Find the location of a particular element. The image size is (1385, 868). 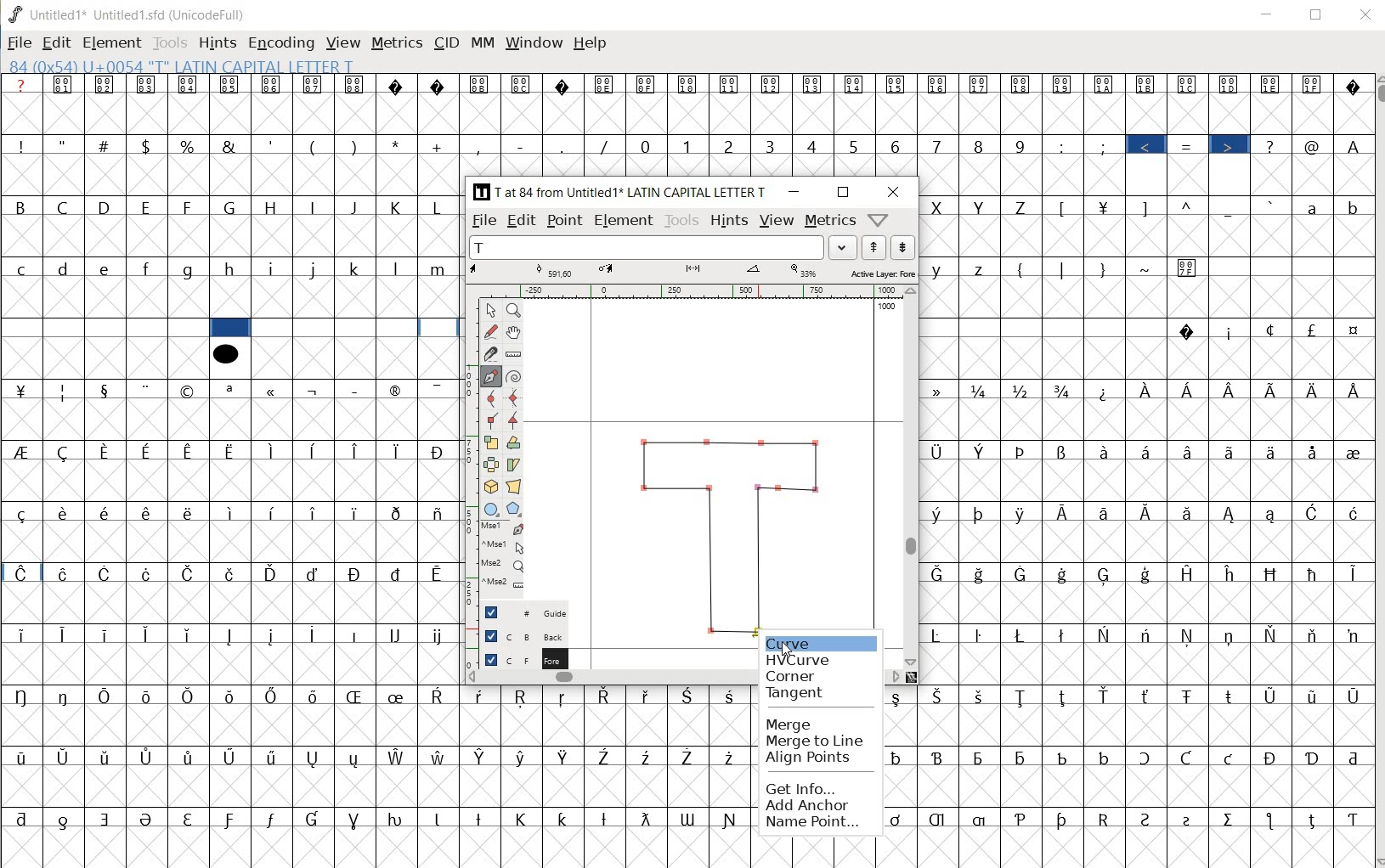

- is located at coordinates (521, 145).